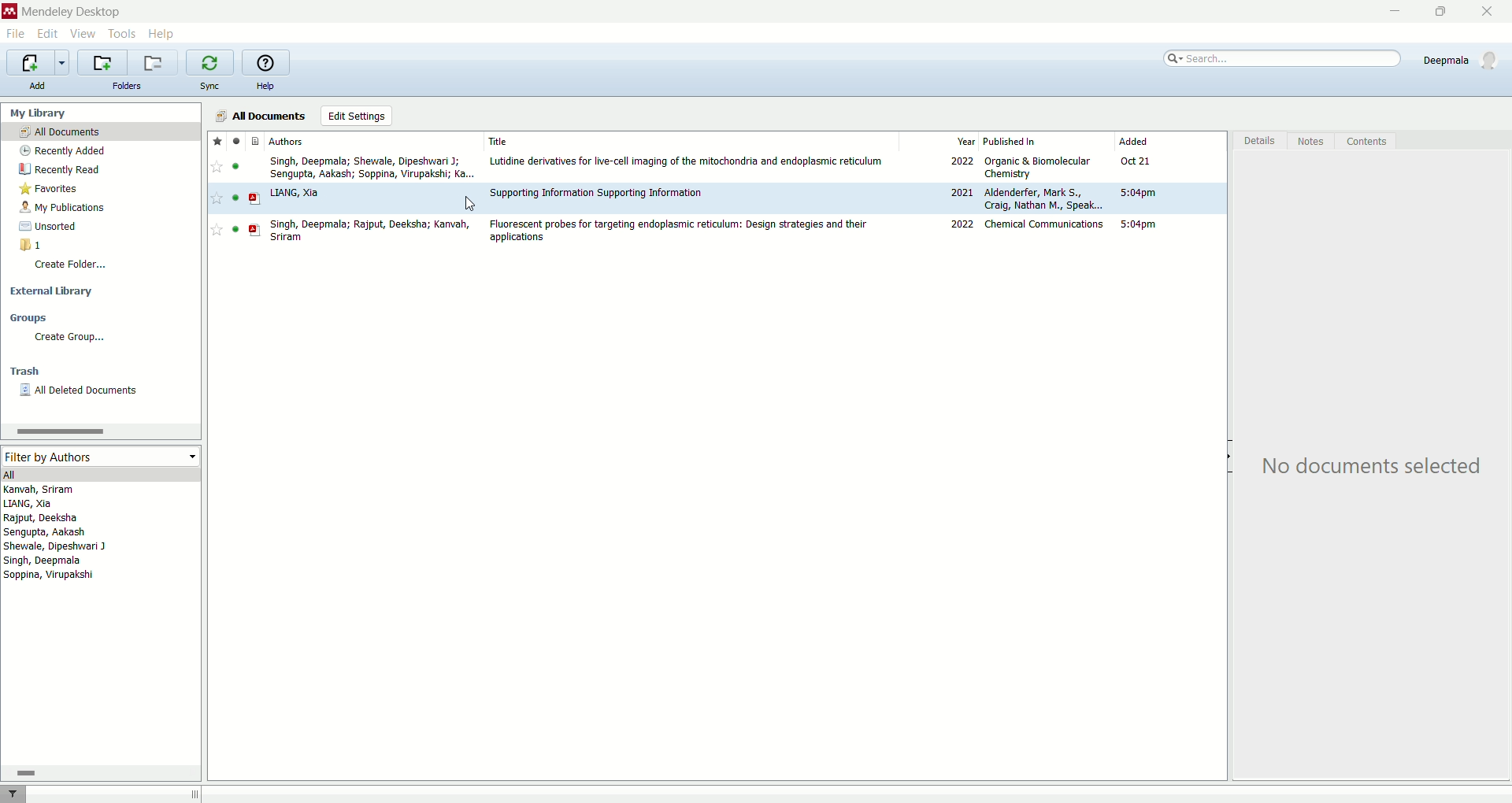 This screenshot has height=803, width=1512. I want to click on recently read, so click(57, 171).